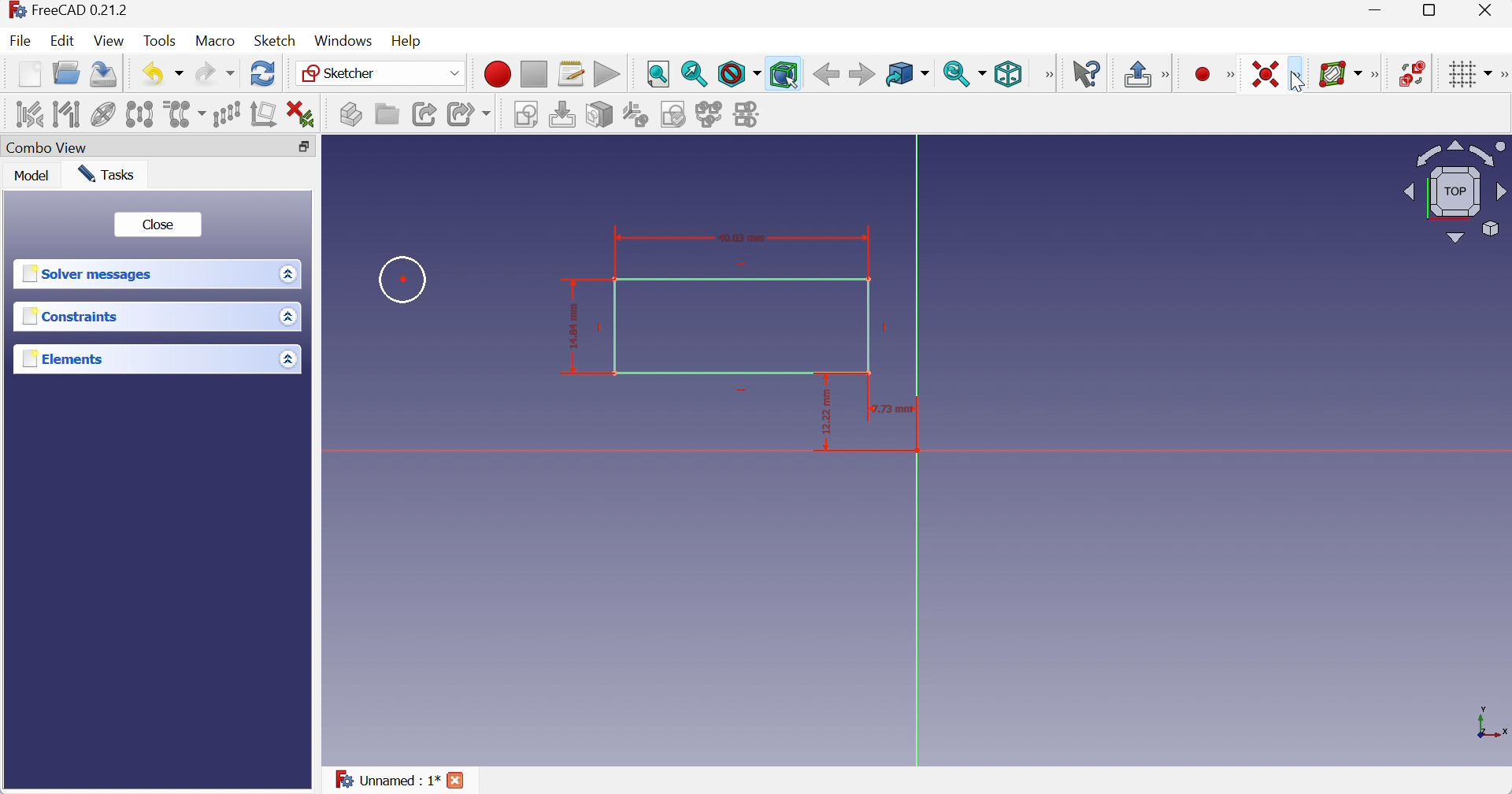  I want to click on Rectangular array, so click(228, 114).